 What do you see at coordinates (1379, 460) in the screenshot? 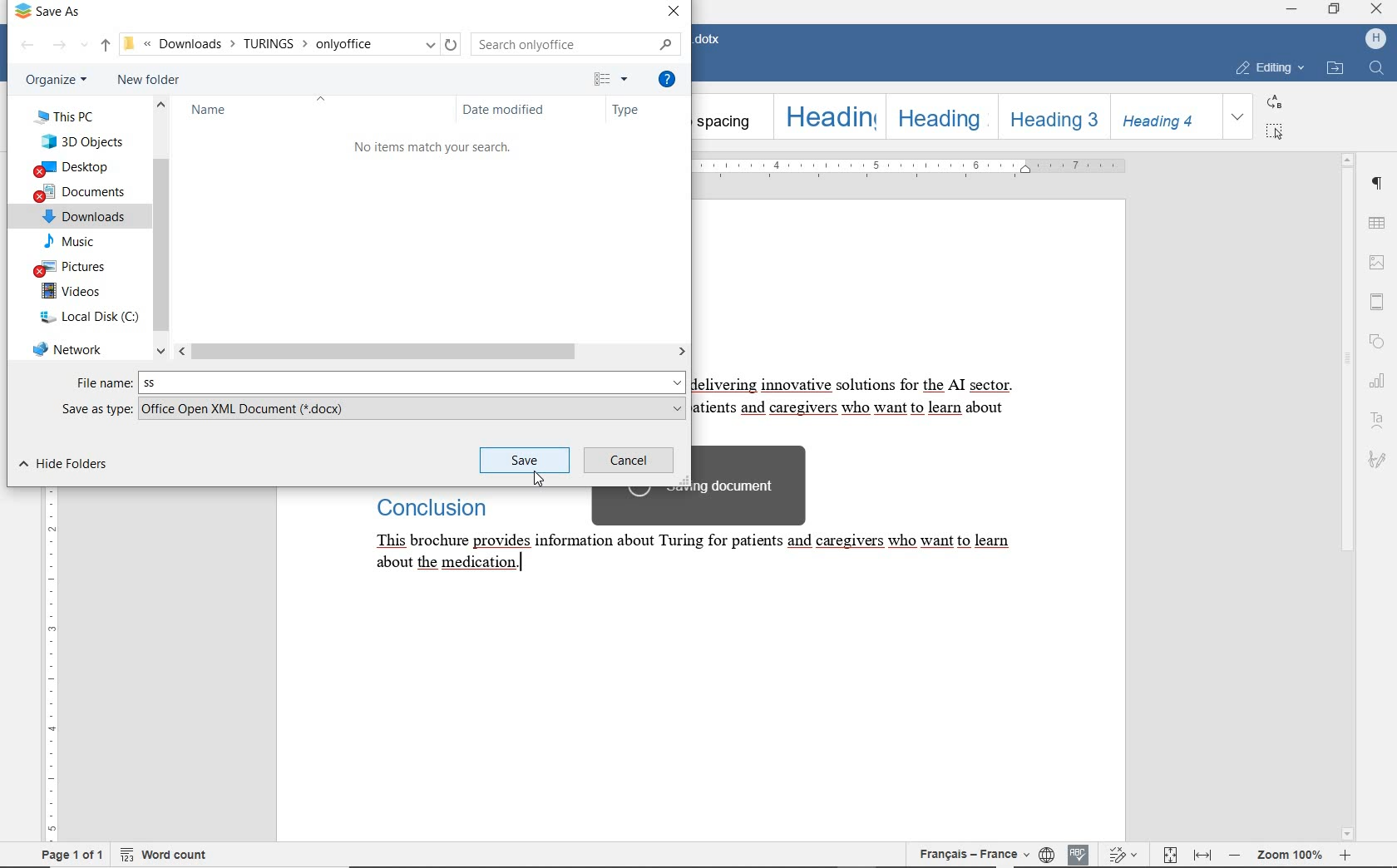
I see `SIGNATURE` at bounding box center [1379, 460].